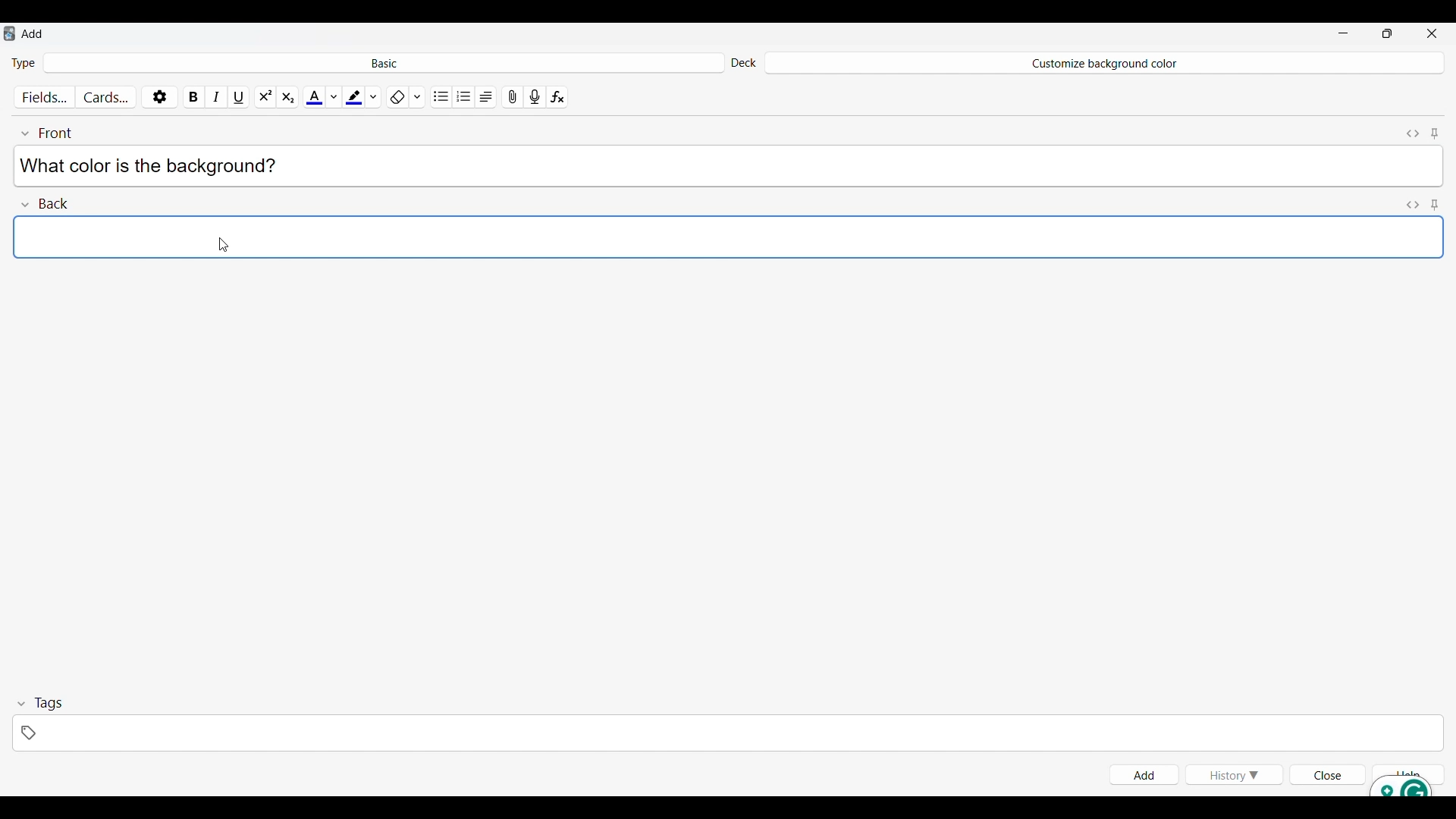  Describe the element at coordinates (1388, 33) in the screenshot. I see `Show interface in smaller tab` at that location.